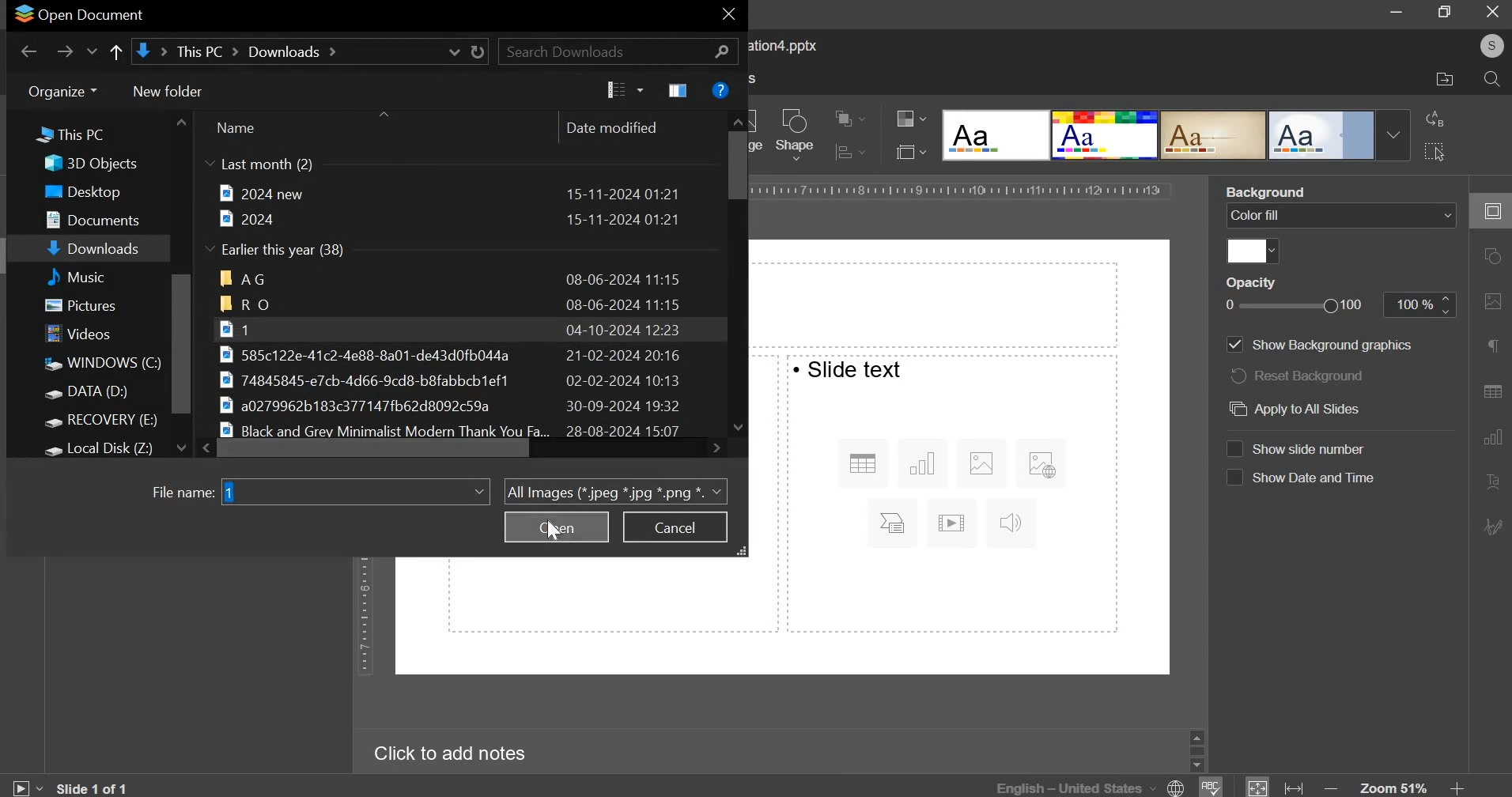  What do you see at coordinates (443, 754) in the screenshot?
I see `click to add notes` at bounding box center [443, 754].